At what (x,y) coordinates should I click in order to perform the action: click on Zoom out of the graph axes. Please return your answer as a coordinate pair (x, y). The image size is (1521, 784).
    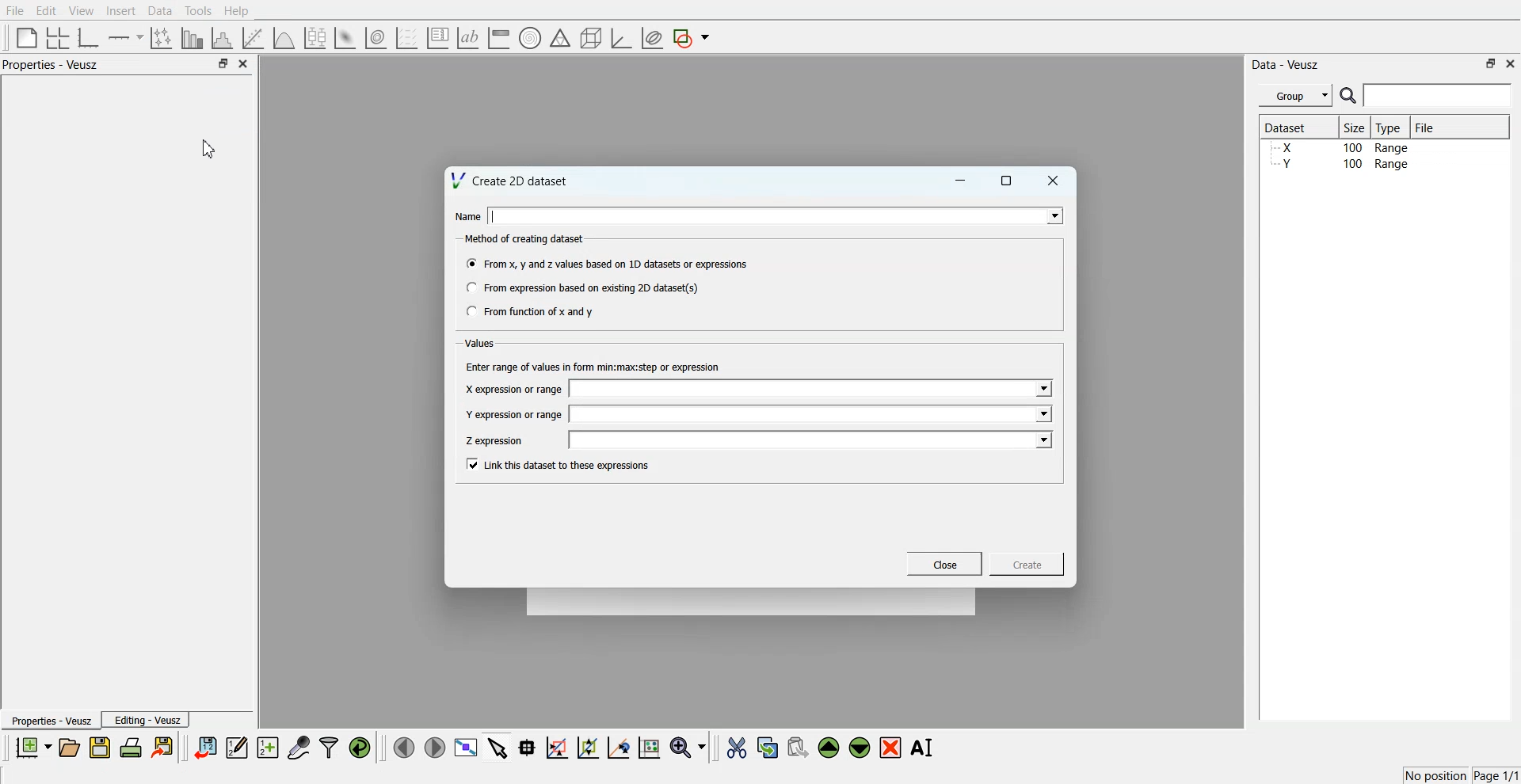
    Looking at the image, I should click on (588, 747).